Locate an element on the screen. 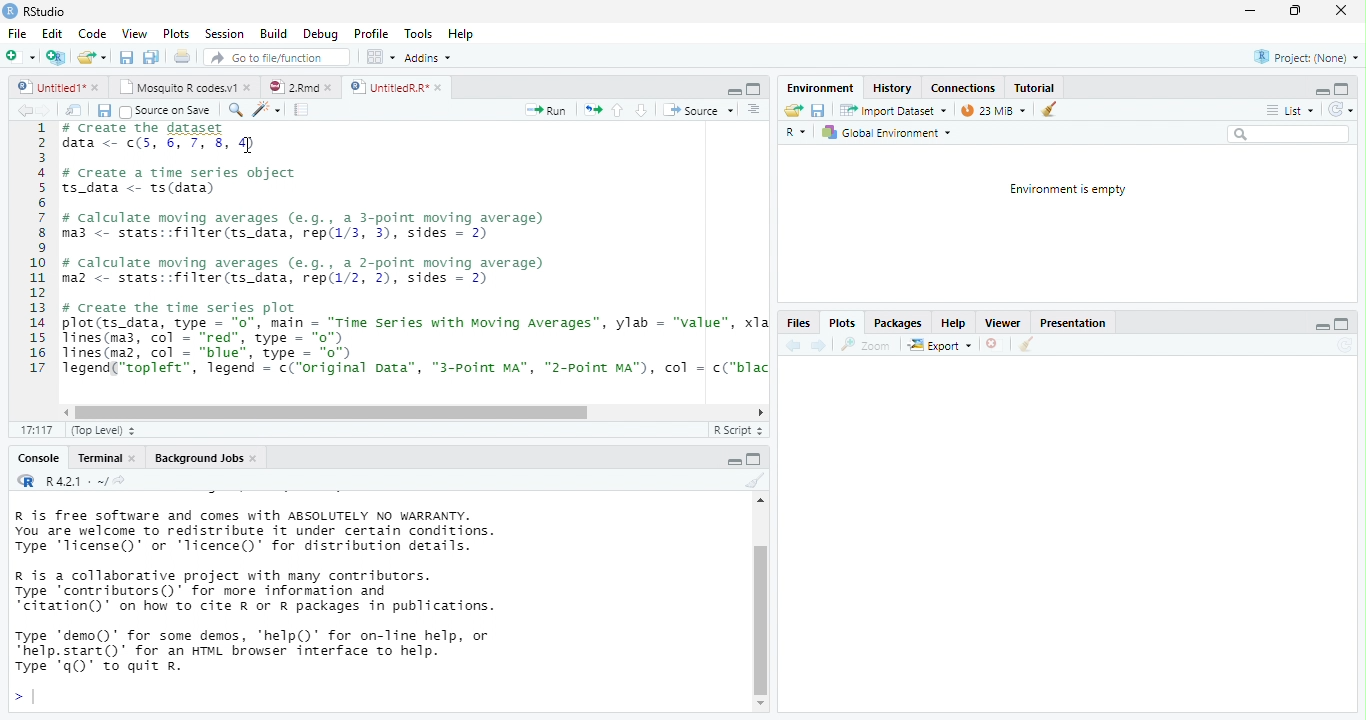 The image size is (1366, 720). R 4.2.1 . ~/ is located at coordinates (74, 480).